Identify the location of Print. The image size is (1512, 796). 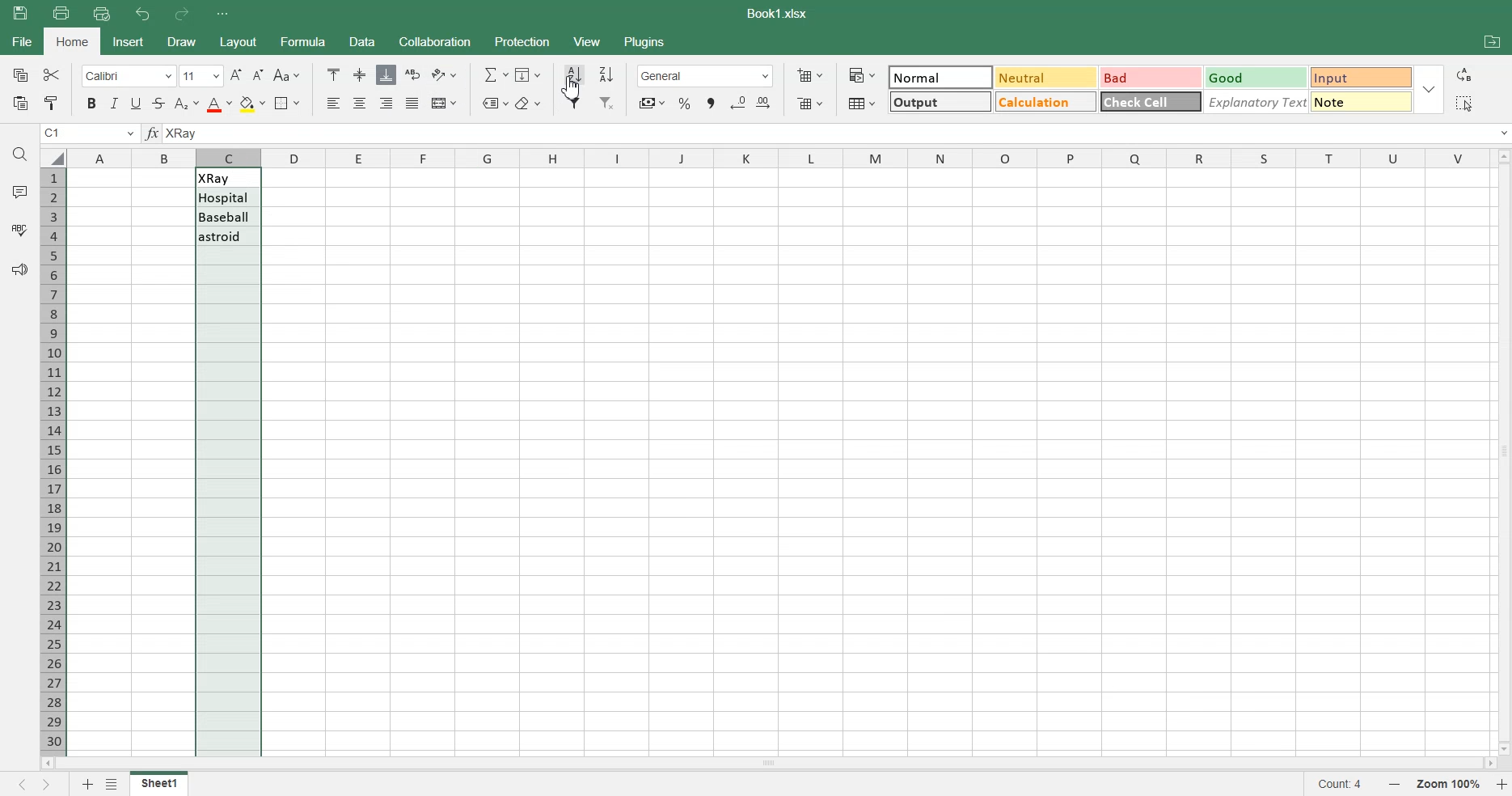
(61, 12).